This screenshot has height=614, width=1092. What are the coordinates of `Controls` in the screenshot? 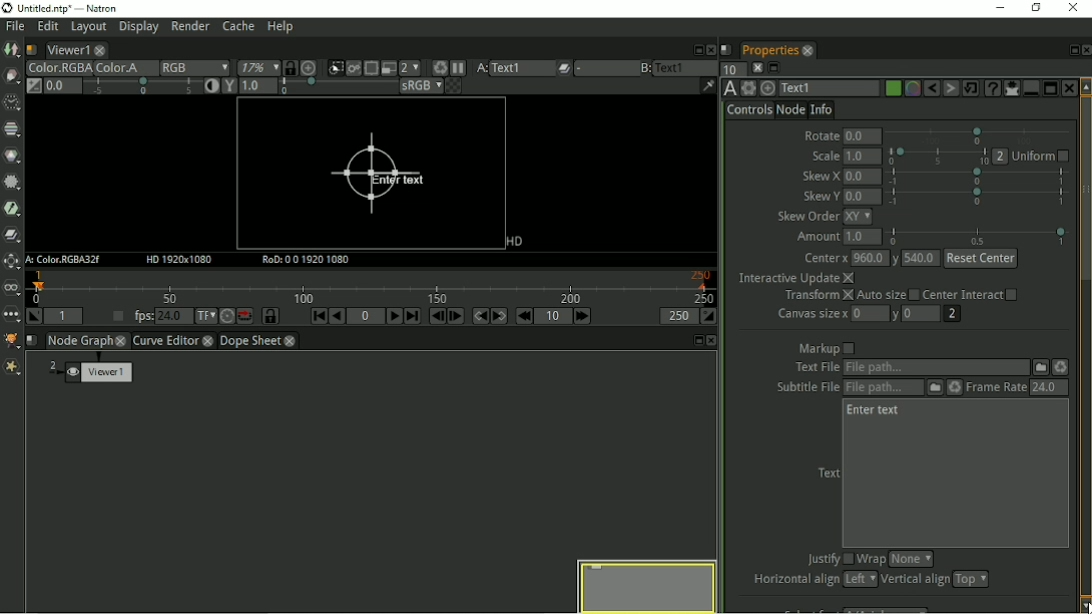 It's located at (747, 112).